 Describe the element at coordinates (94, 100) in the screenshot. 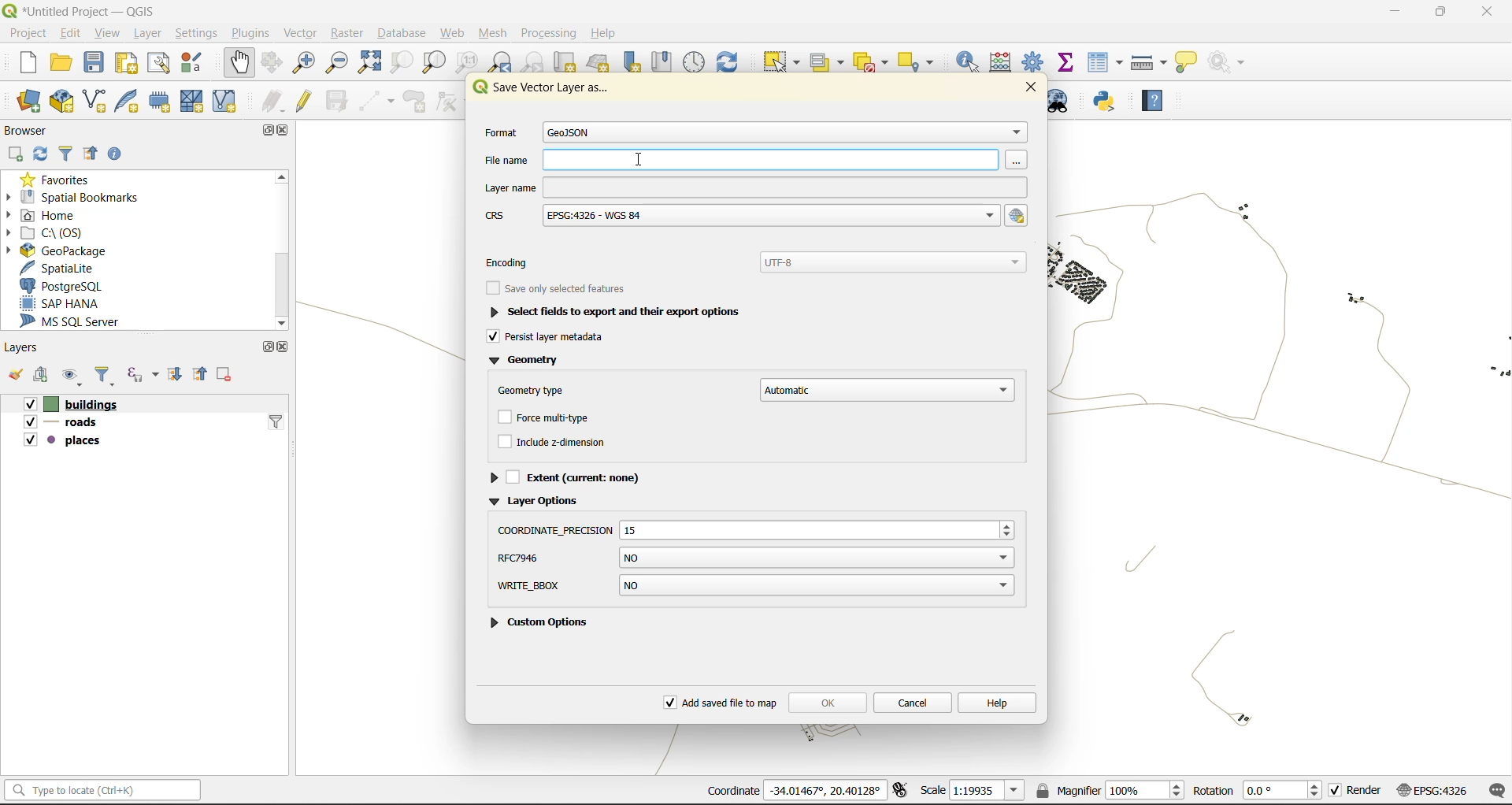

I see `new shapefile` at that location.